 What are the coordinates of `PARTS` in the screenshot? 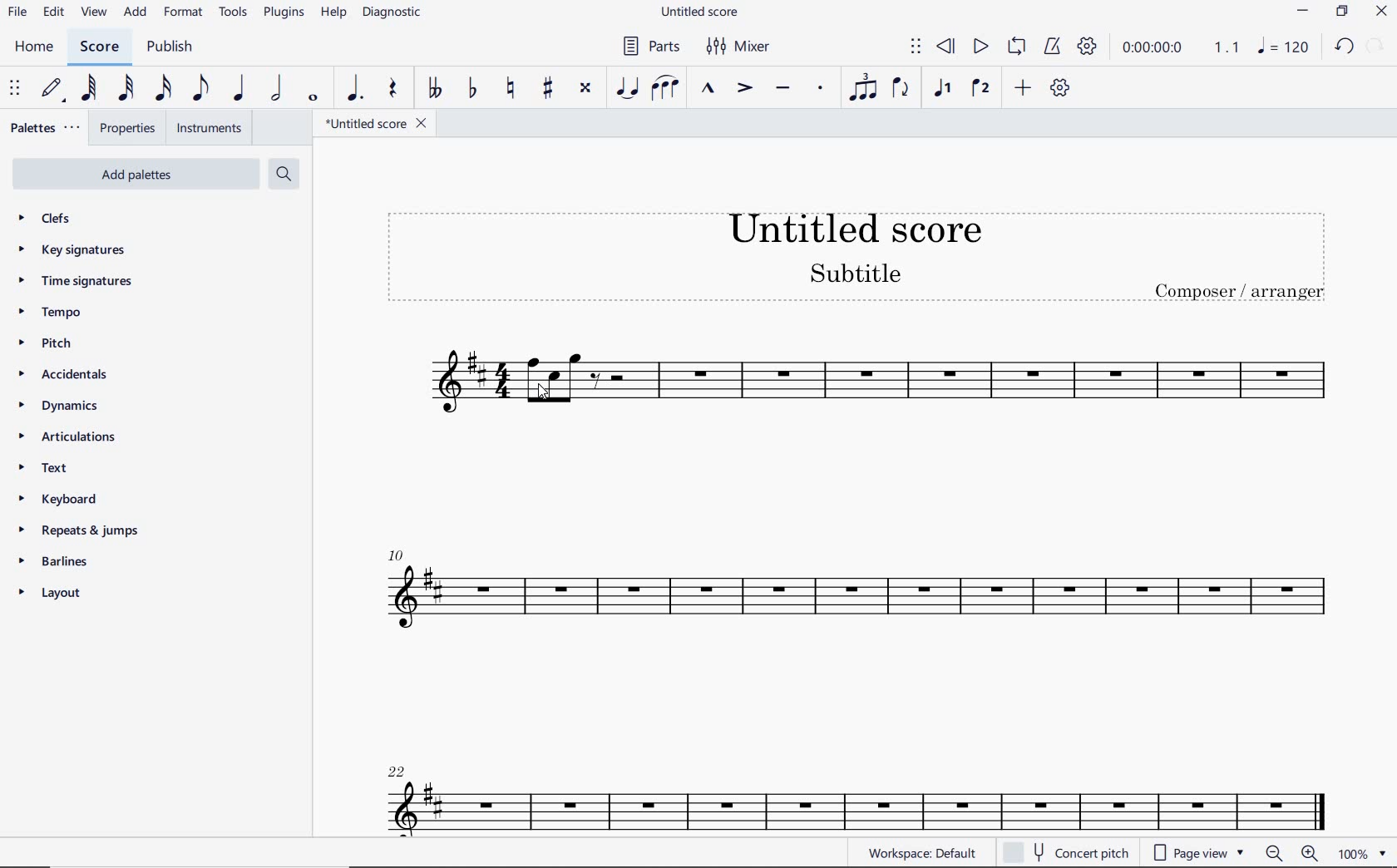 It's located at (653, 46).